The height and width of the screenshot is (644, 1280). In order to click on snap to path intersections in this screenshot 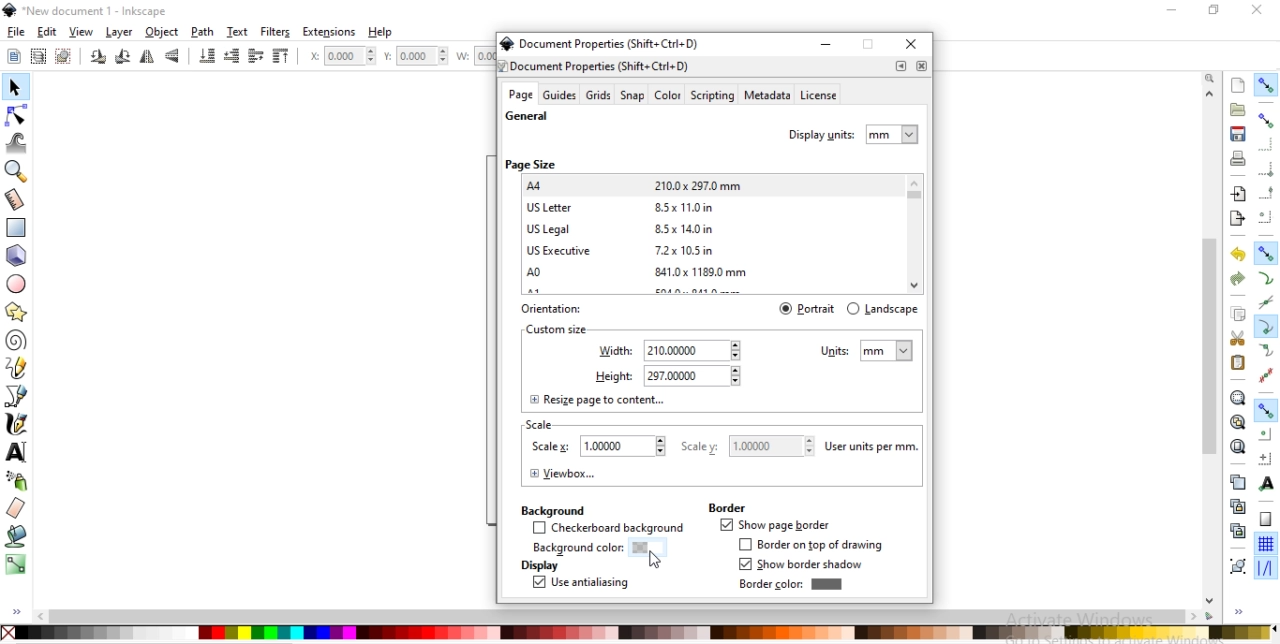, I will do `click(1265, 303)`.